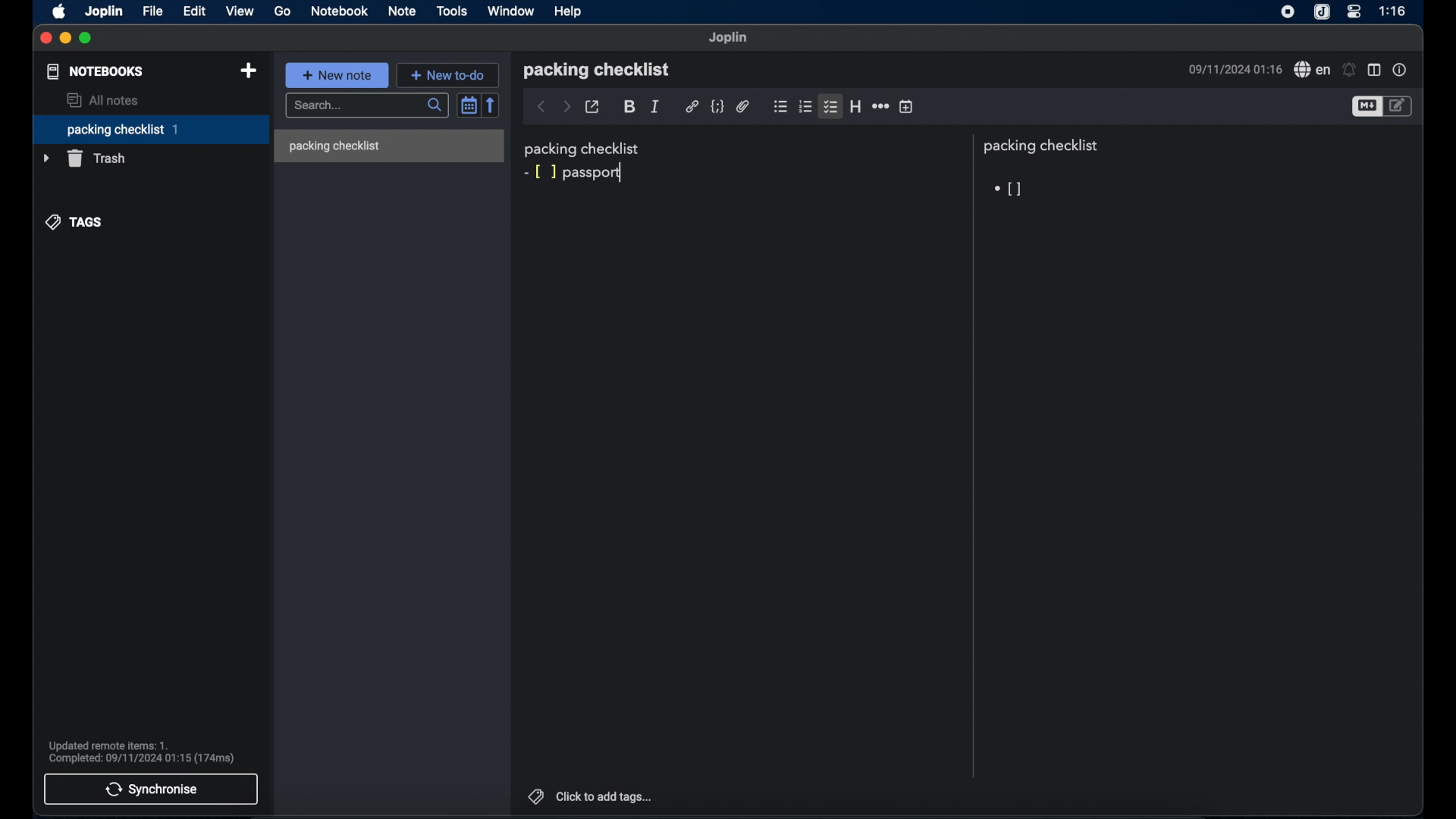 This screenshot has width=1456, height=819. Describe the element at coordinates (569, 11) in the screenshot. I see `help` at that location.